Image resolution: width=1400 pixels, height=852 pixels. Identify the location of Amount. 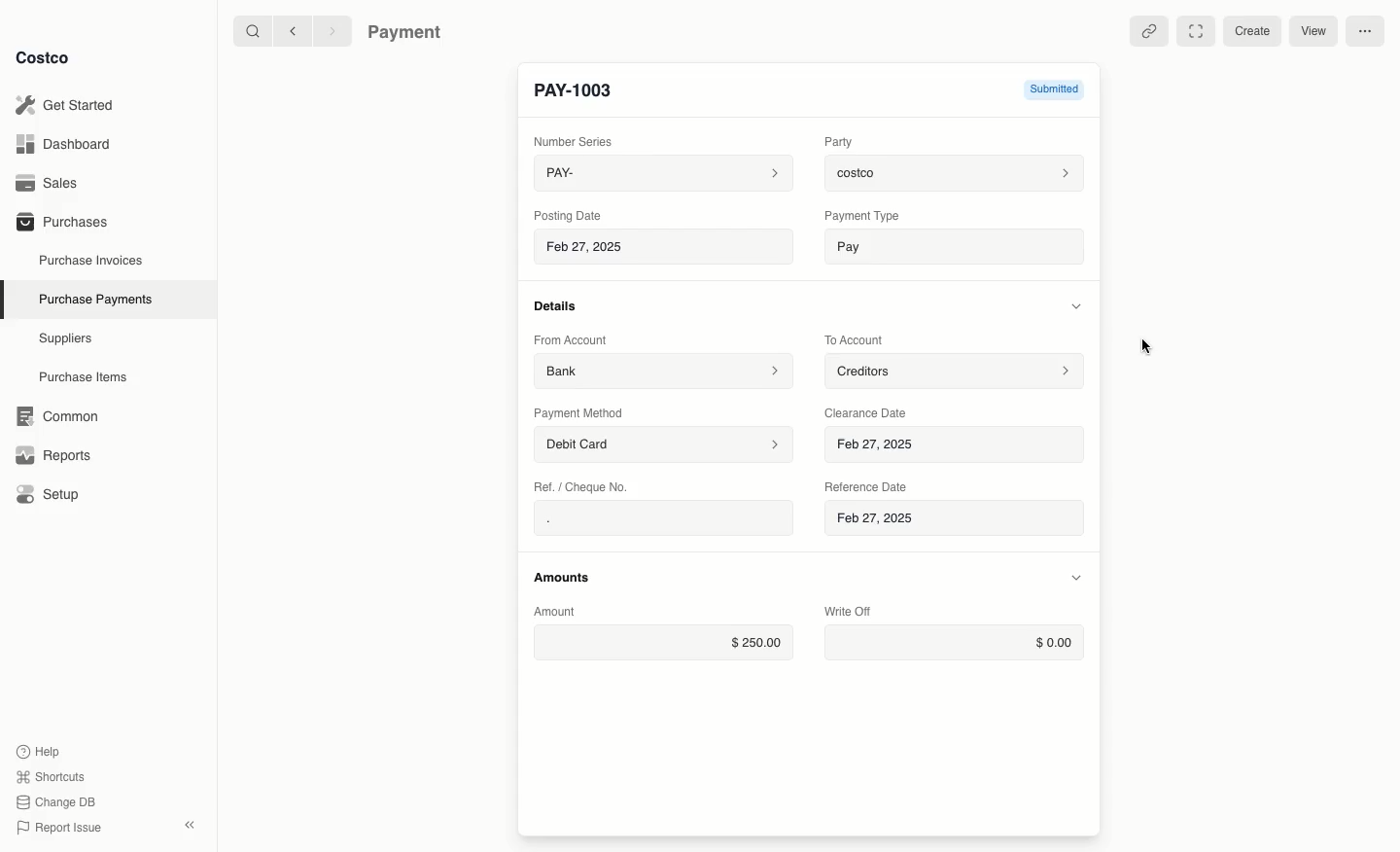
(558, 611).